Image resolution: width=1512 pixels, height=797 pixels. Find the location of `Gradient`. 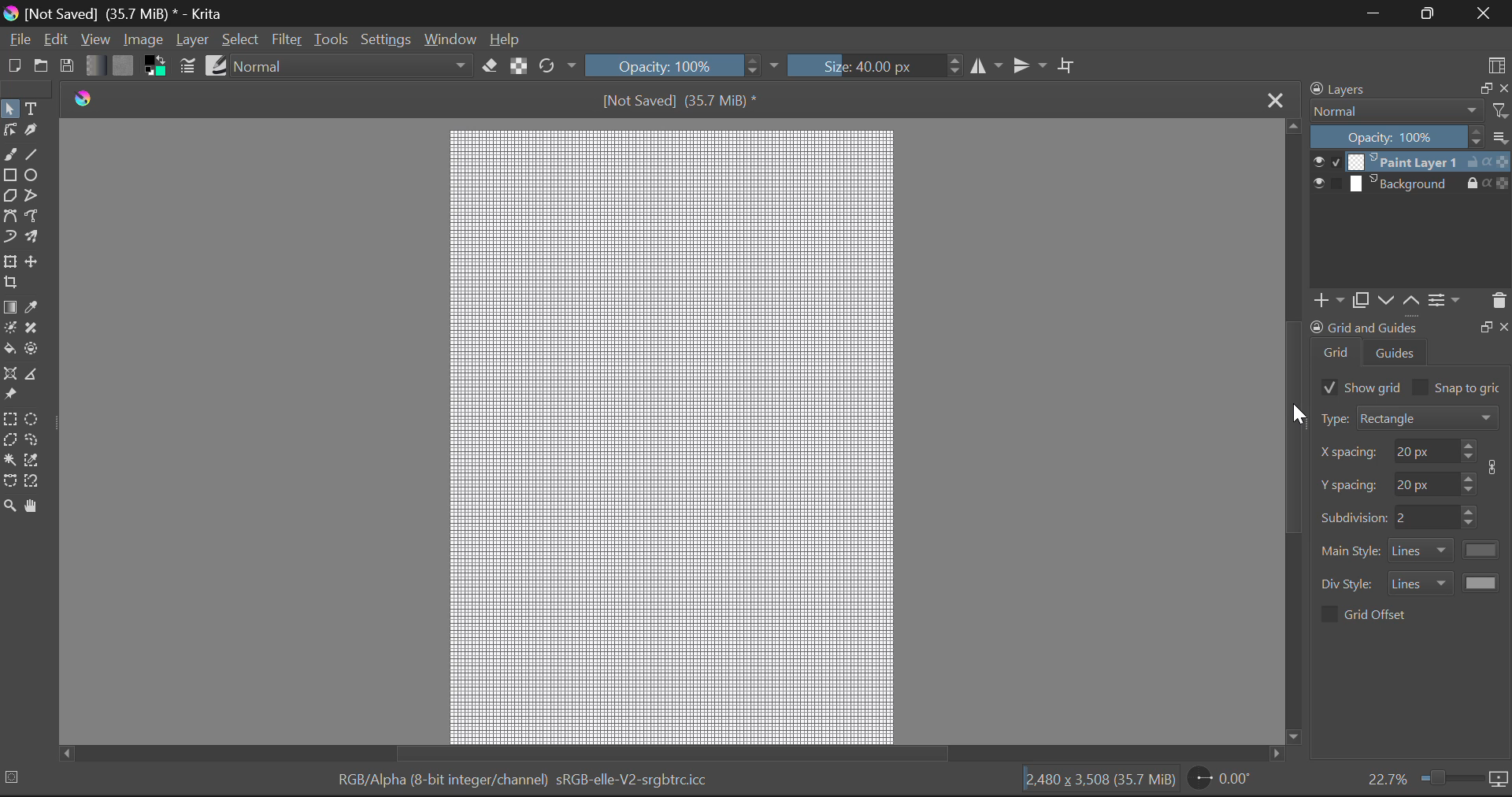

Gradient is located at coordinates (94, 64).